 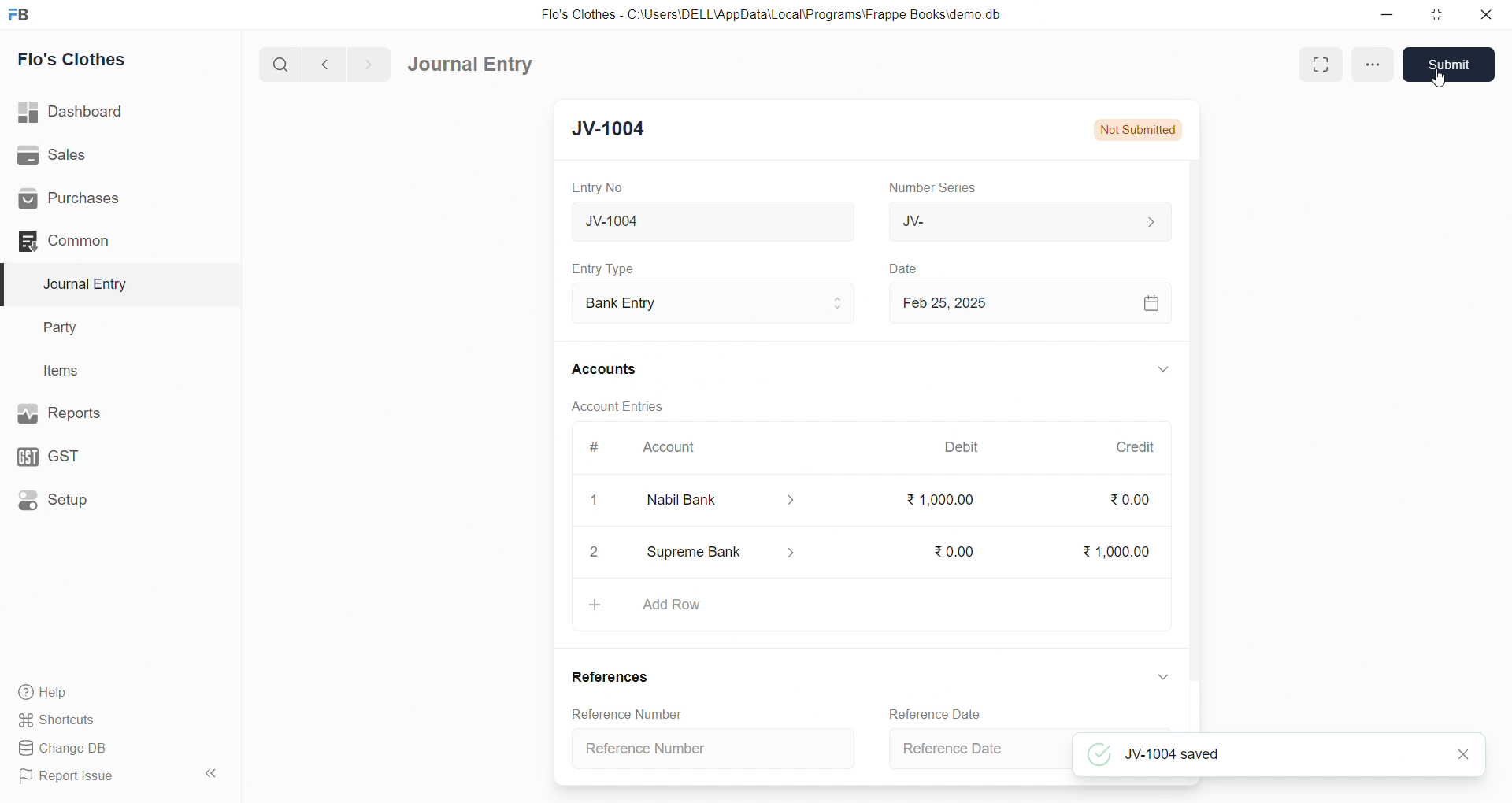 What do you see at coordinates (1480, 14) in the screenshot?
I see `close` at bounding box center [1480, 14].